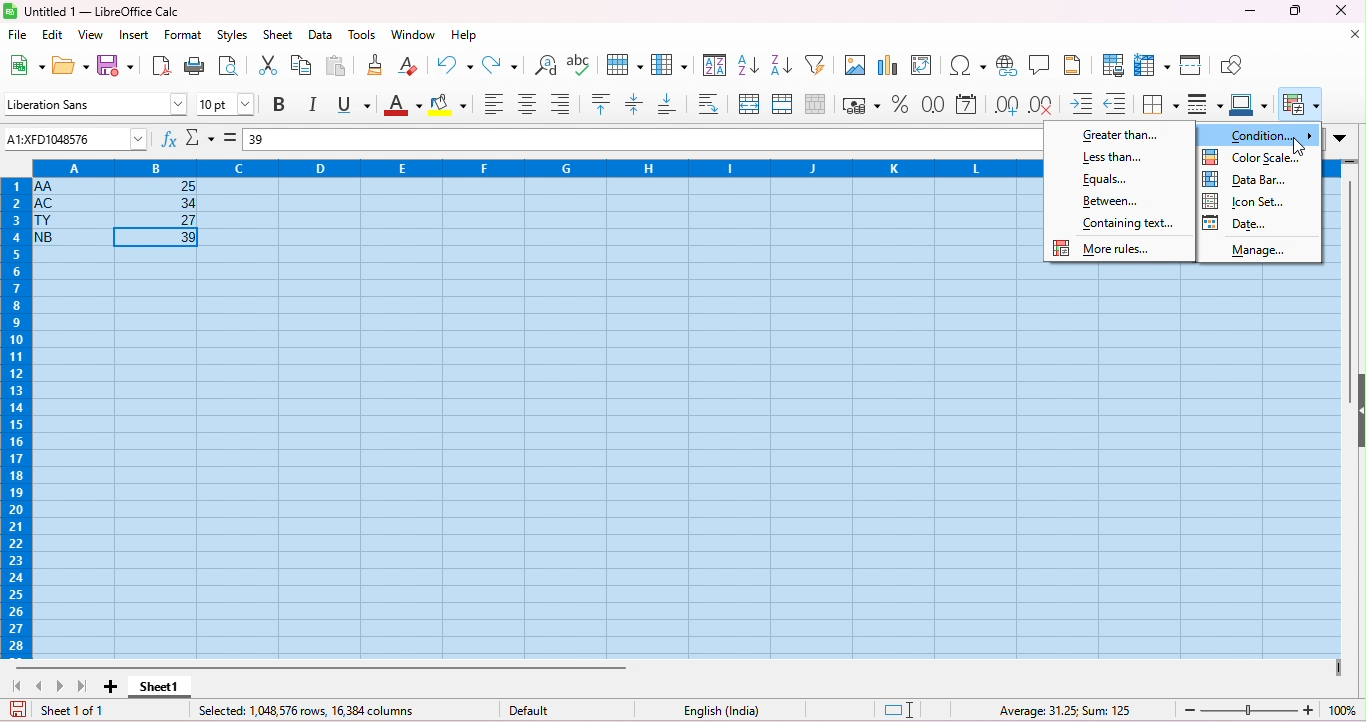  Describe the element at coordinates (623, 64) in the screenshot. I see `row` at that location.